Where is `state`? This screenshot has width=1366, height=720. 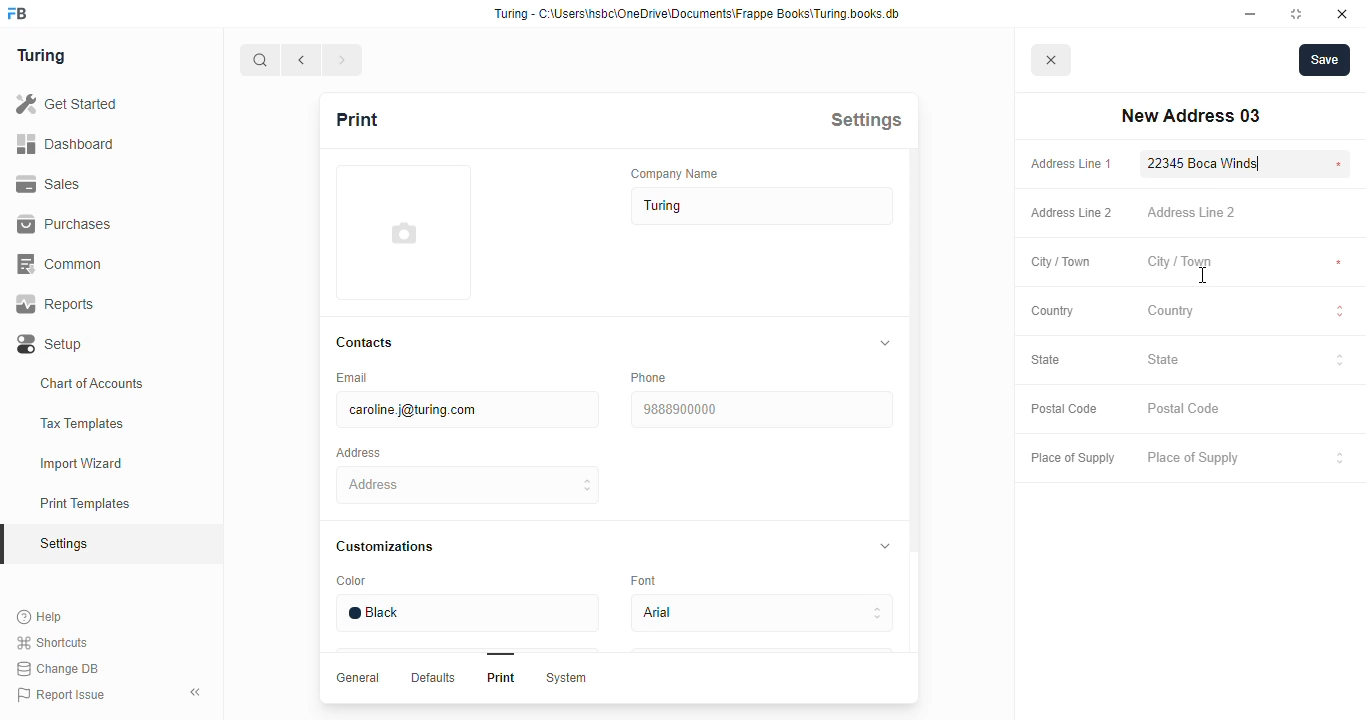
state is located at coordinates (1046, 359).